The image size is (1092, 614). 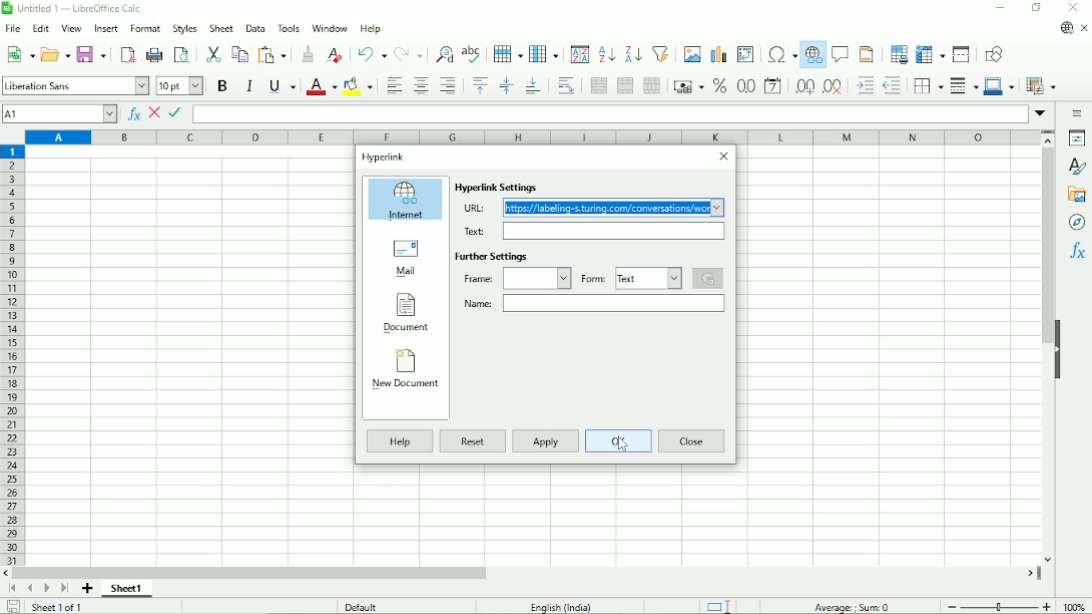 What do you see at coordinates (127, 588) in the screenshot?
I see `Sheet 1` at bounding box center [127, 588].